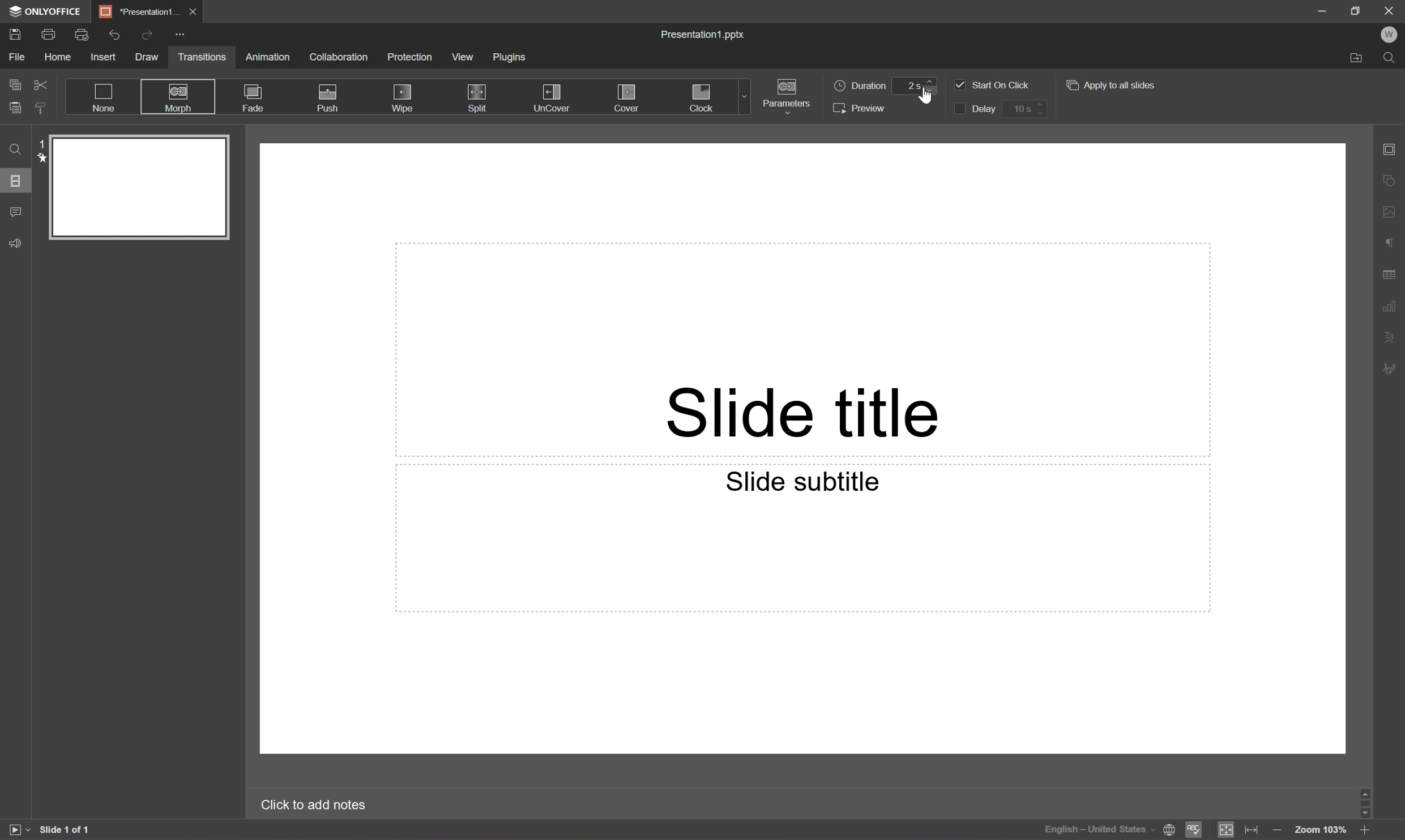 The image size is (1405, 840). What do you see at coordinates (139, 187) in the screenshot?
I see `Slide` at bounding box center [139, 187].